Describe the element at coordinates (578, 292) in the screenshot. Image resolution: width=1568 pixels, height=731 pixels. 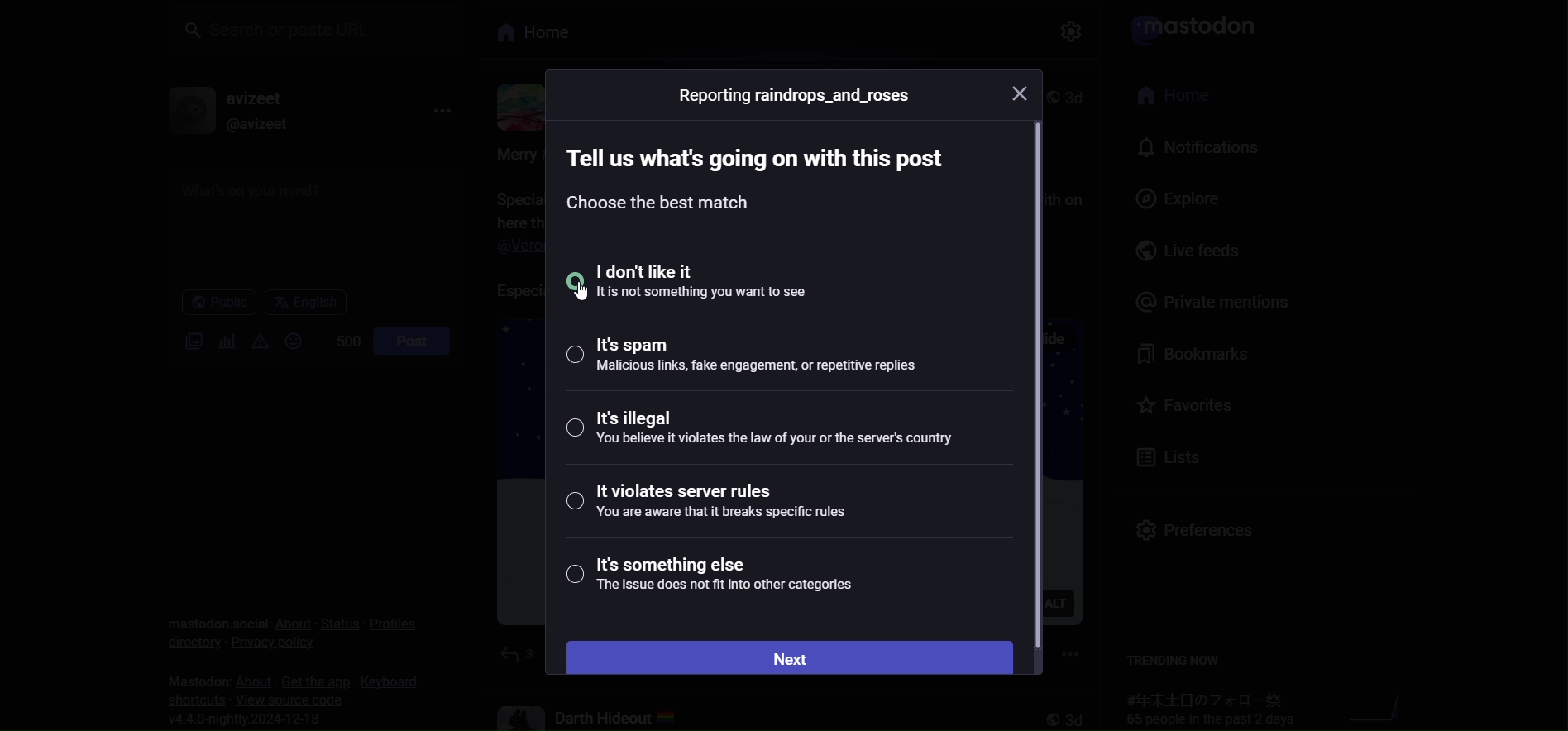
I see `cursor` at that location.